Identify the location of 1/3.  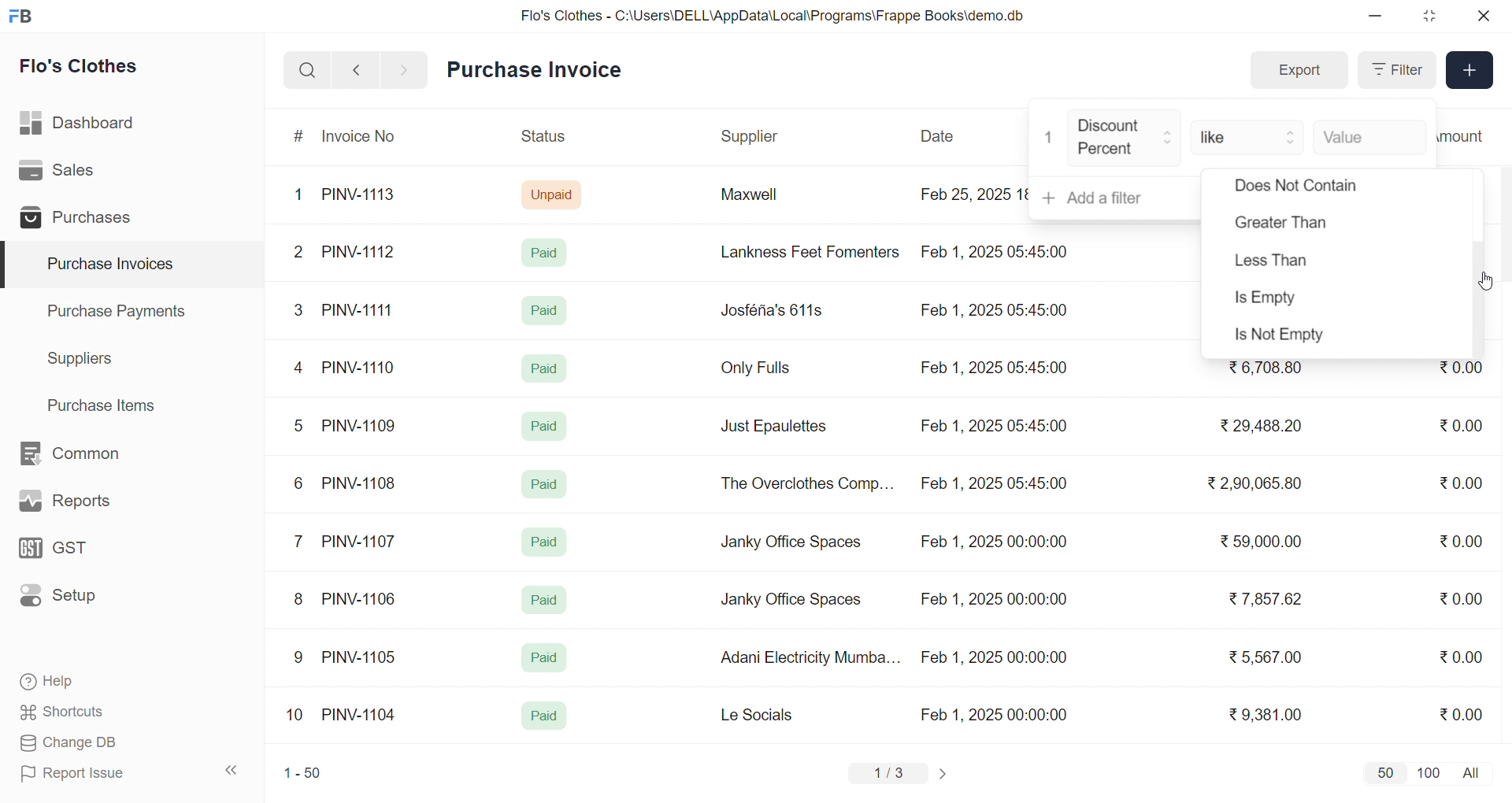
(889, 775).